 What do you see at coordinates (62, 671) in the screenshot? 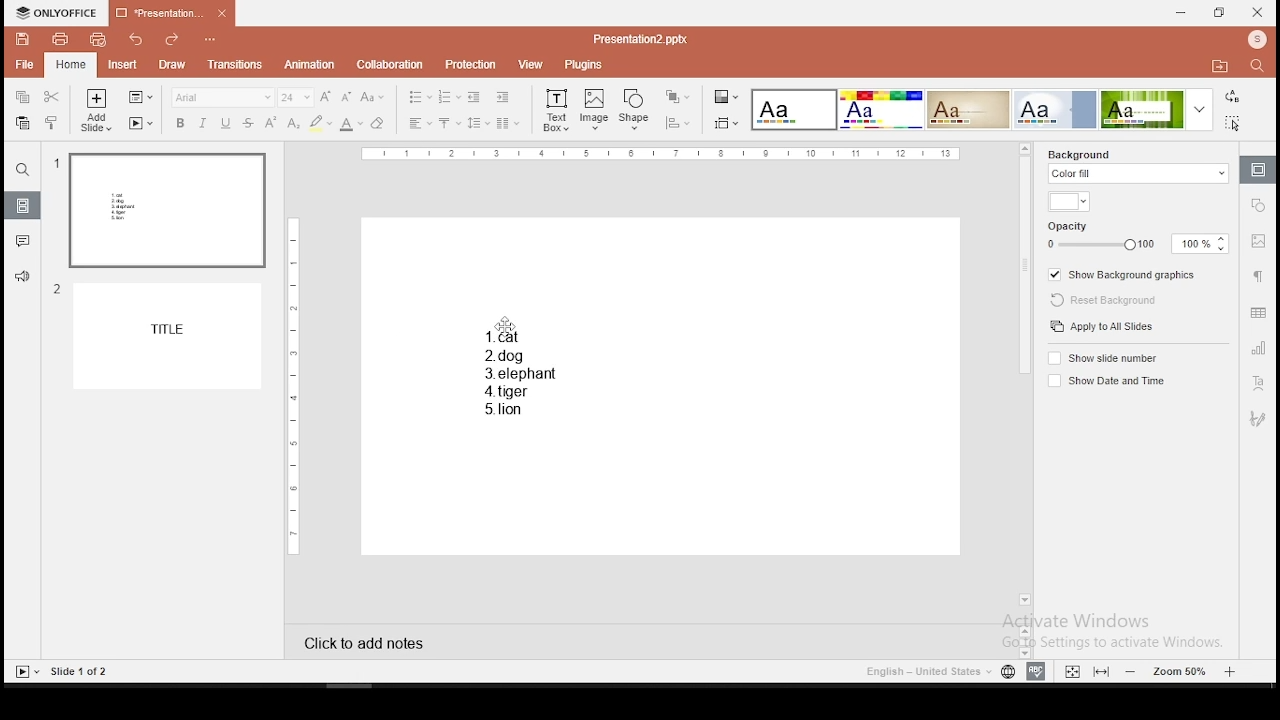
I see `Slides` at bounding box center [62, 671].